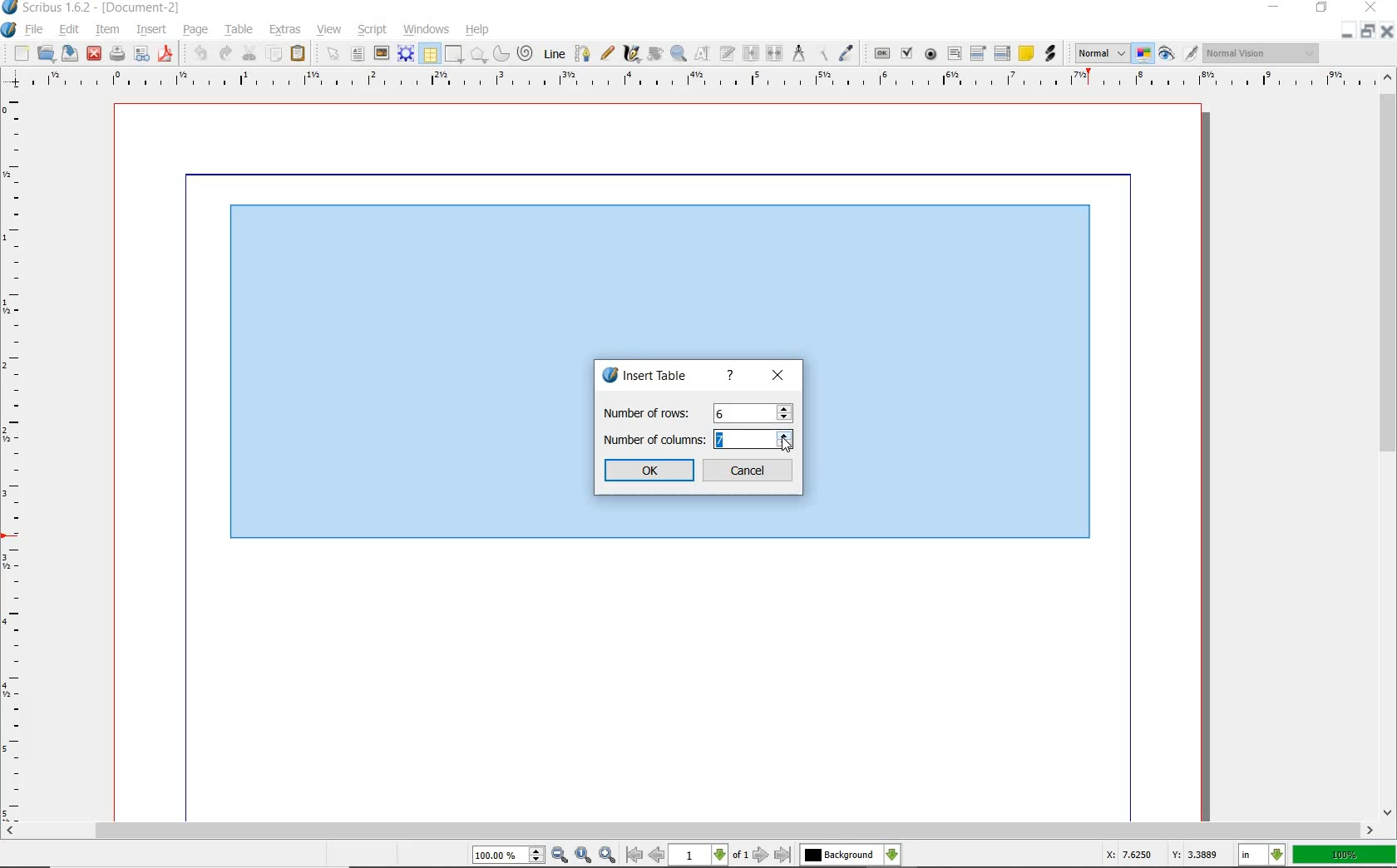 The image size is (1397, 868). Describe the element at coordinates (560, 856) in the screenshot. I see `zoom out` at that location.